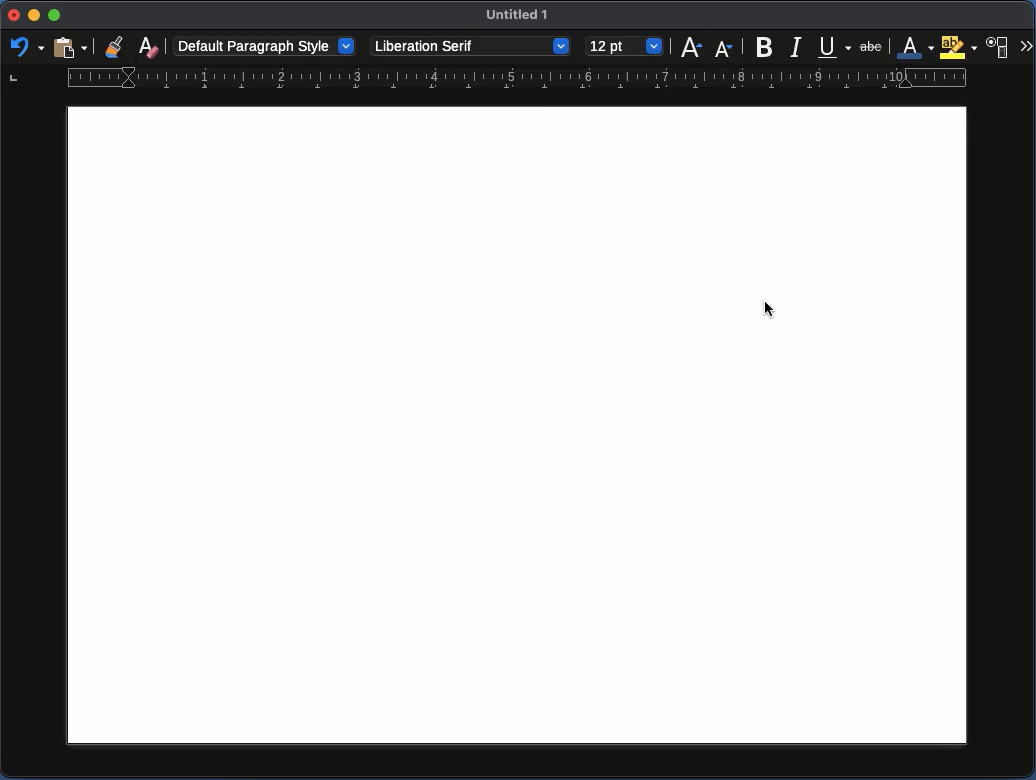 Image resolution: width=1036 pixels, height=780 pixels. What do you see at coordinates (148, 45) in the screenshot?
I see `Clear formatting` at bounding box center [148, 45].